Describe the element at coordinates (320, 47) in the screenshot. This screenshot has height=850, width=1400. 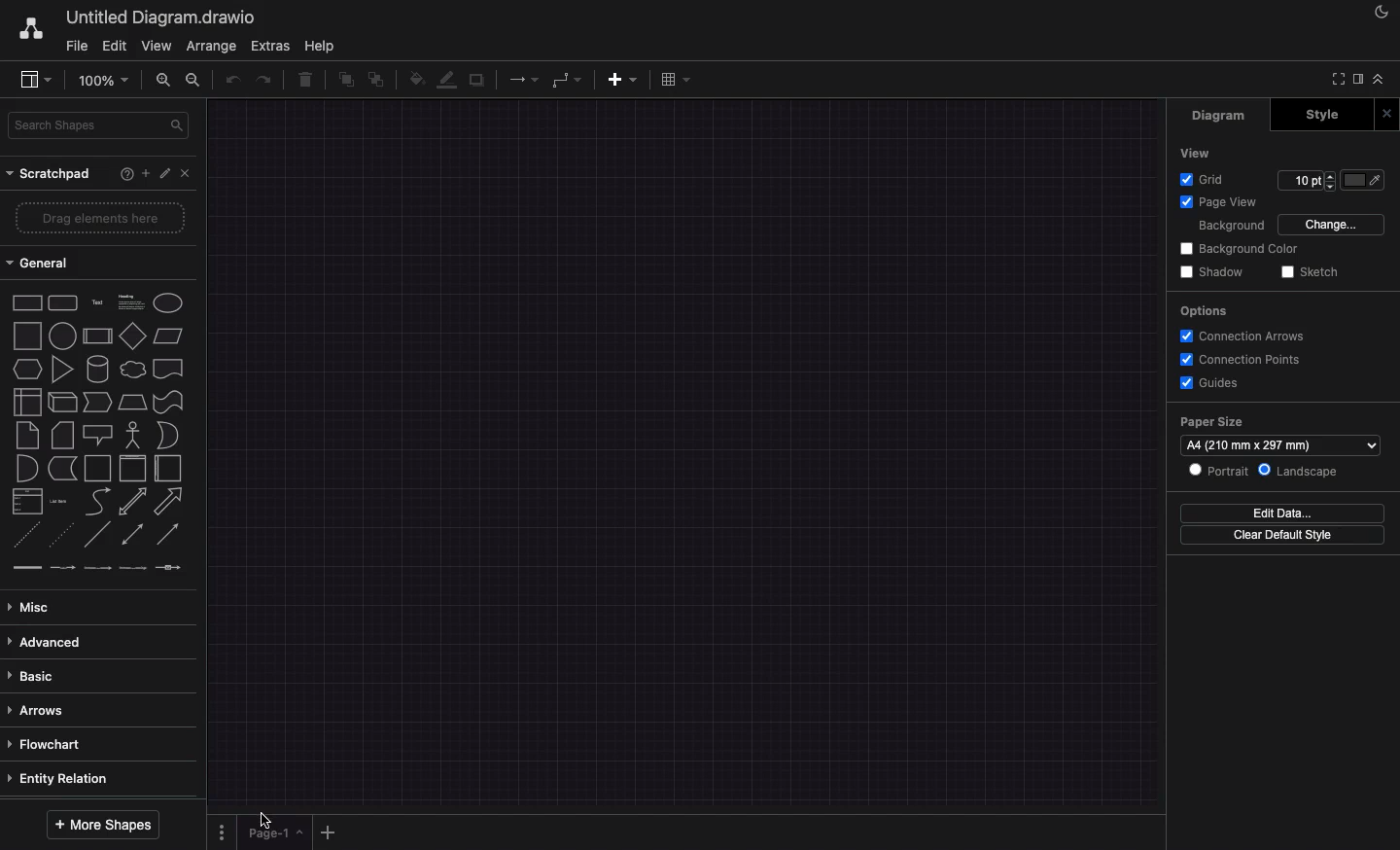
I see `help` at that location.